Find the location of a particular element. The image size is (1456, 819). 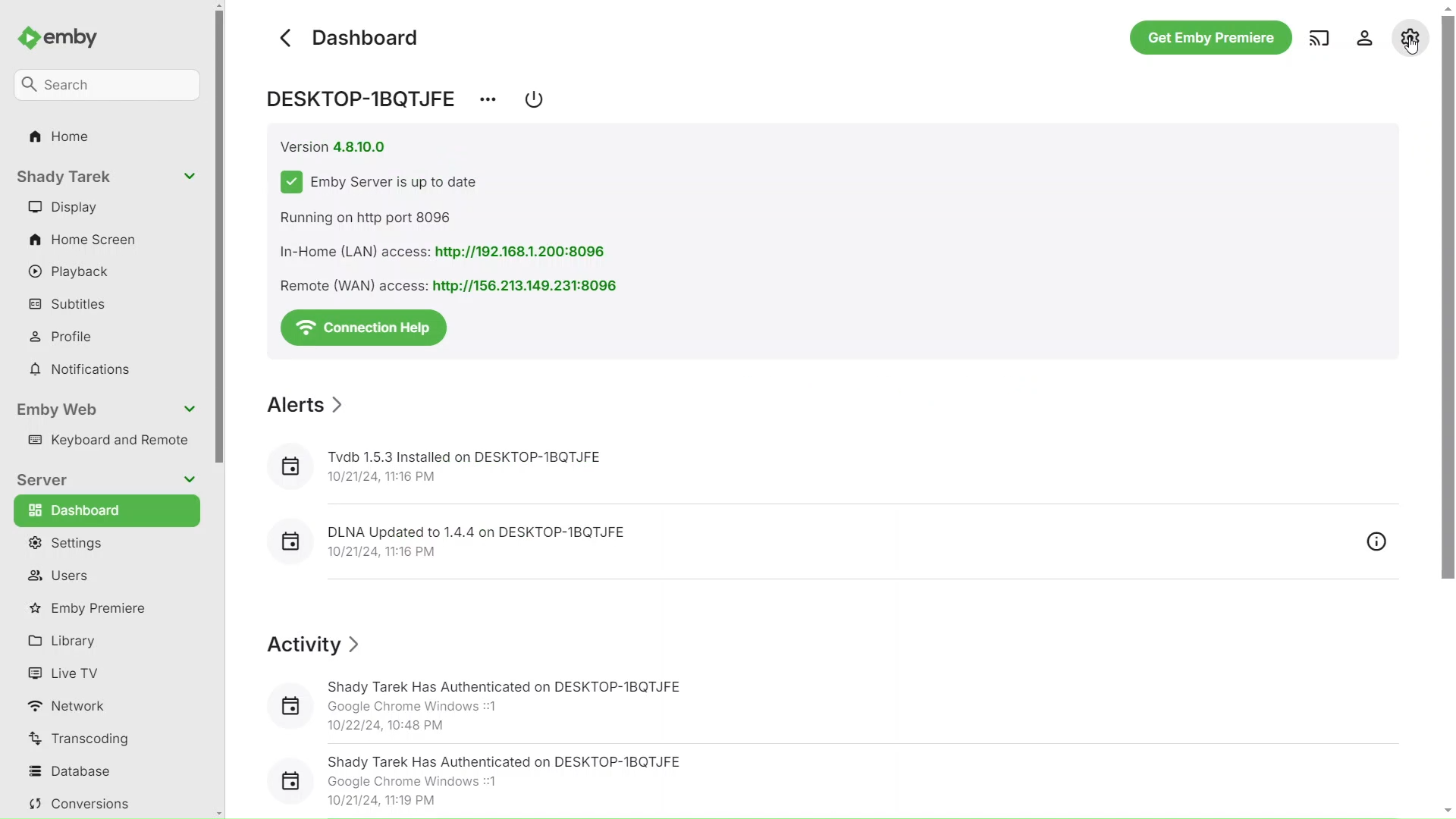

Remote (WAN) access: http://156.213.149.231:8096 is located at coordinates (447, 285).